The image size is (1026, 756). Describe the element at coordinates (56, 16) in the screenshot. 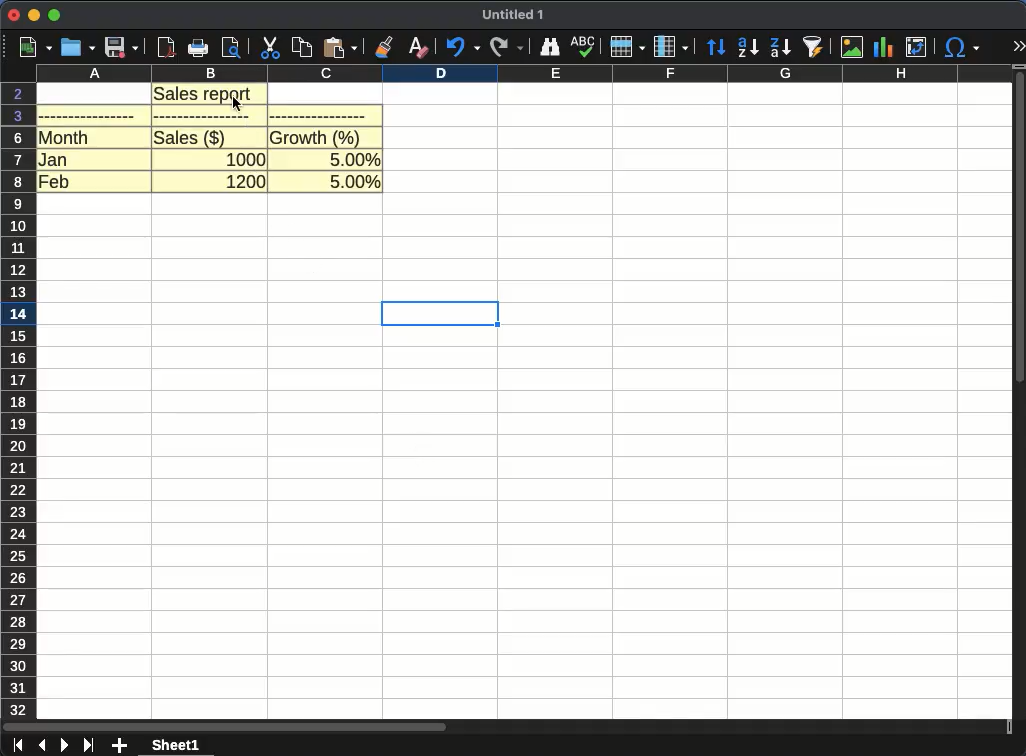

I see `maximize` at that location.